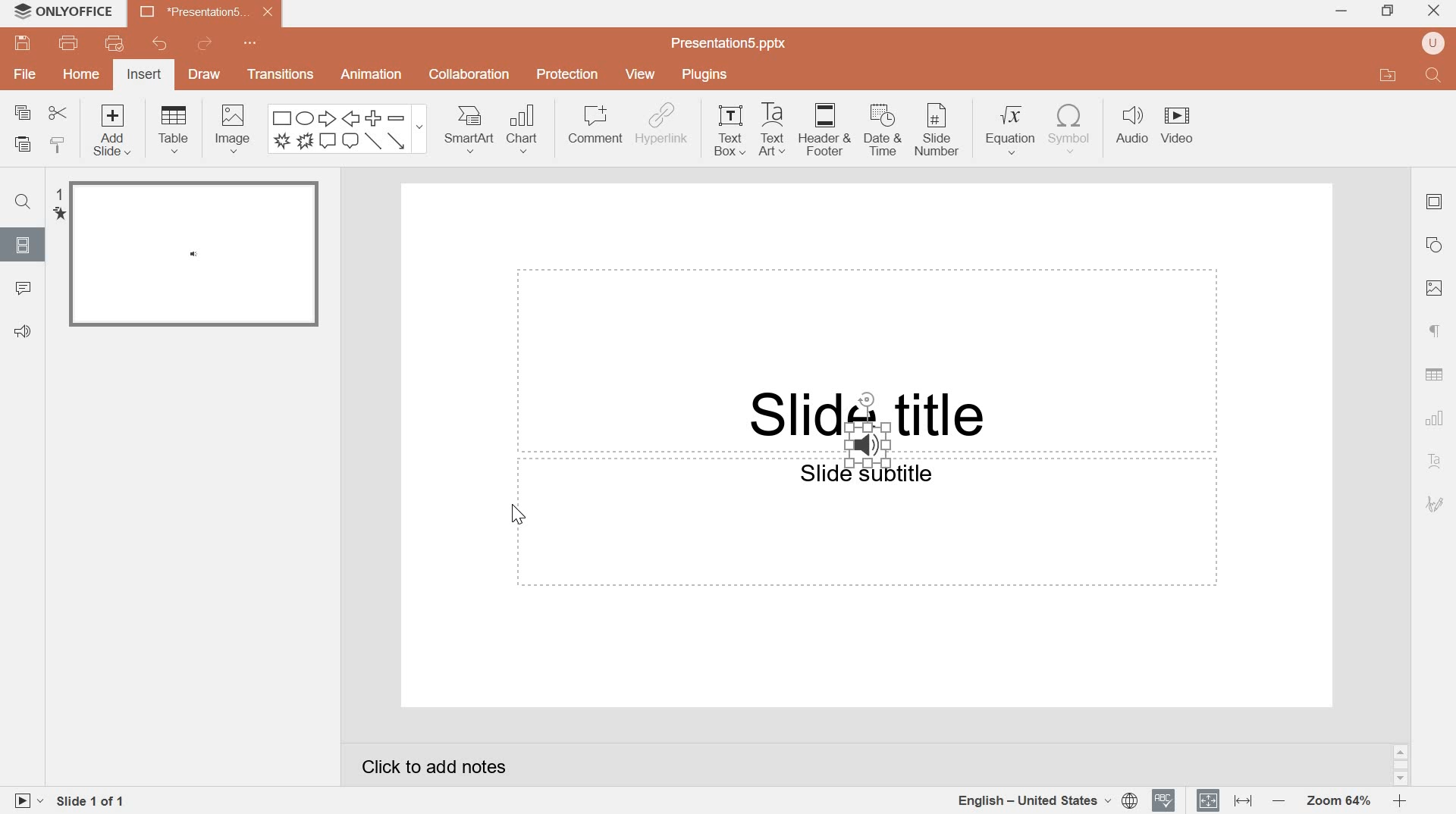 The image size is (1456, 814). Describe the element at coordinates (69, 43) in the screenshot. I see `print` at that location.